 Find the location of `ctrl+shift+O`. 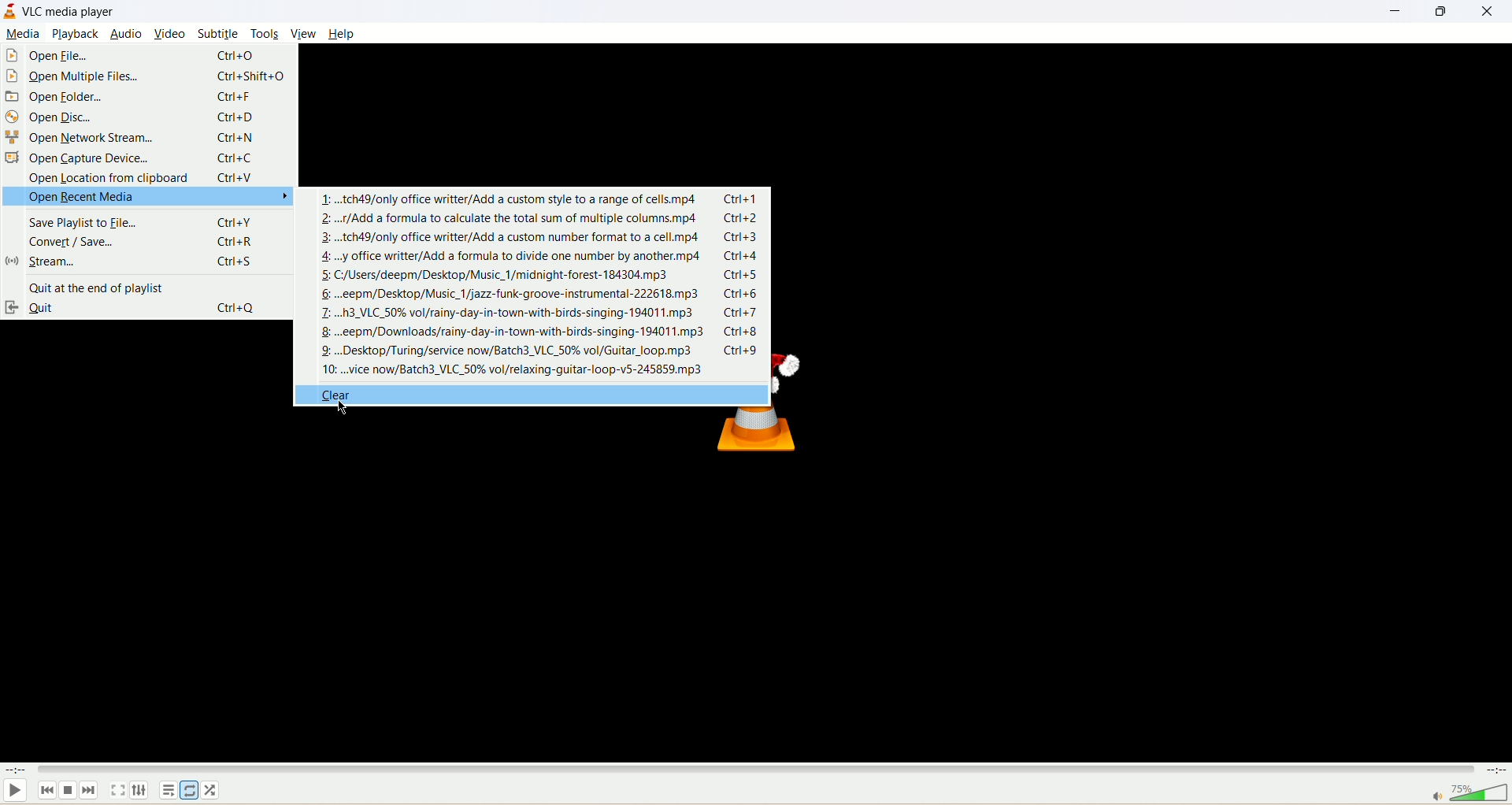

ctrl+shift+O is located at coordinates (252, 78).